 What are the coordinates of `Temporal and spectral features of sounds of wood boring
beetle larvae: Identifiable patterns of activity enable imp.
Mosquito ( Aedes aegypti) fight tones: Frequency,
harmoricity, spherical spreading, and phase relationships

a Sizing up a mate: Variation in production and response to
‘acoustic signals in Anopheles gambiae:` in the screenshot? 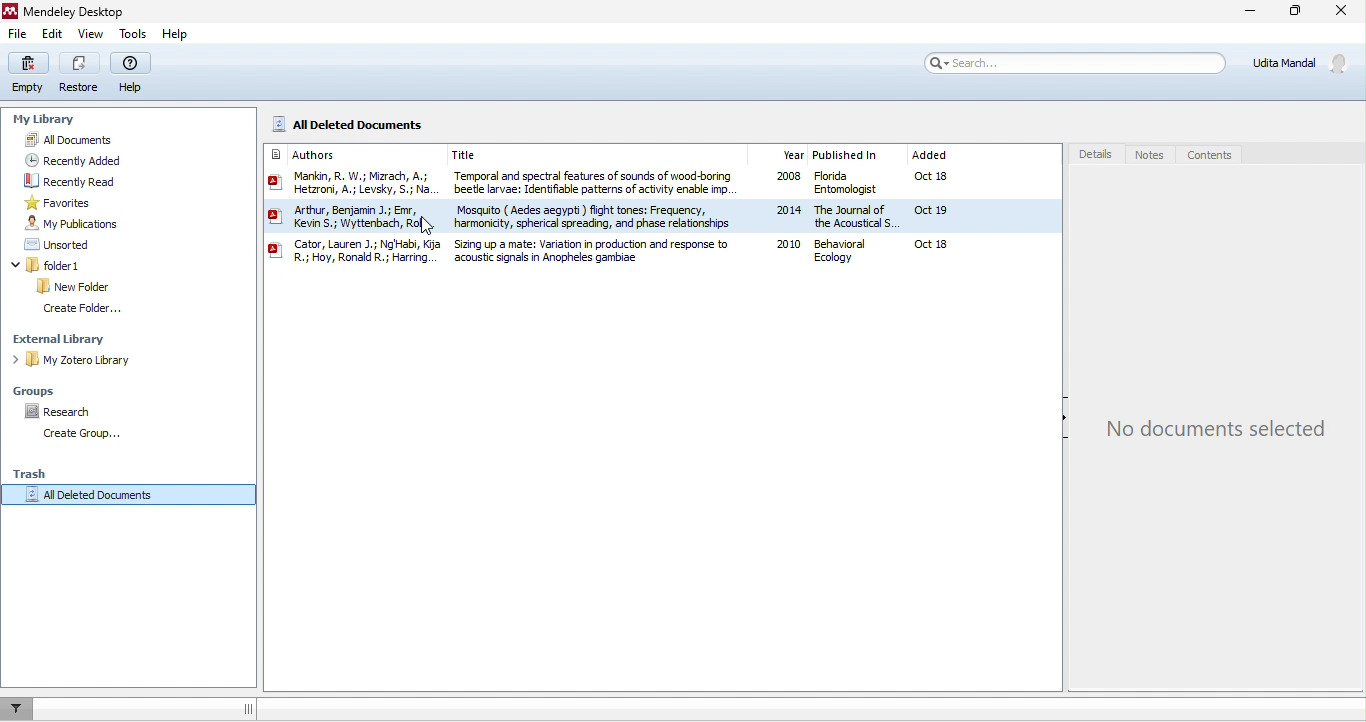 It's located at (598, 216).